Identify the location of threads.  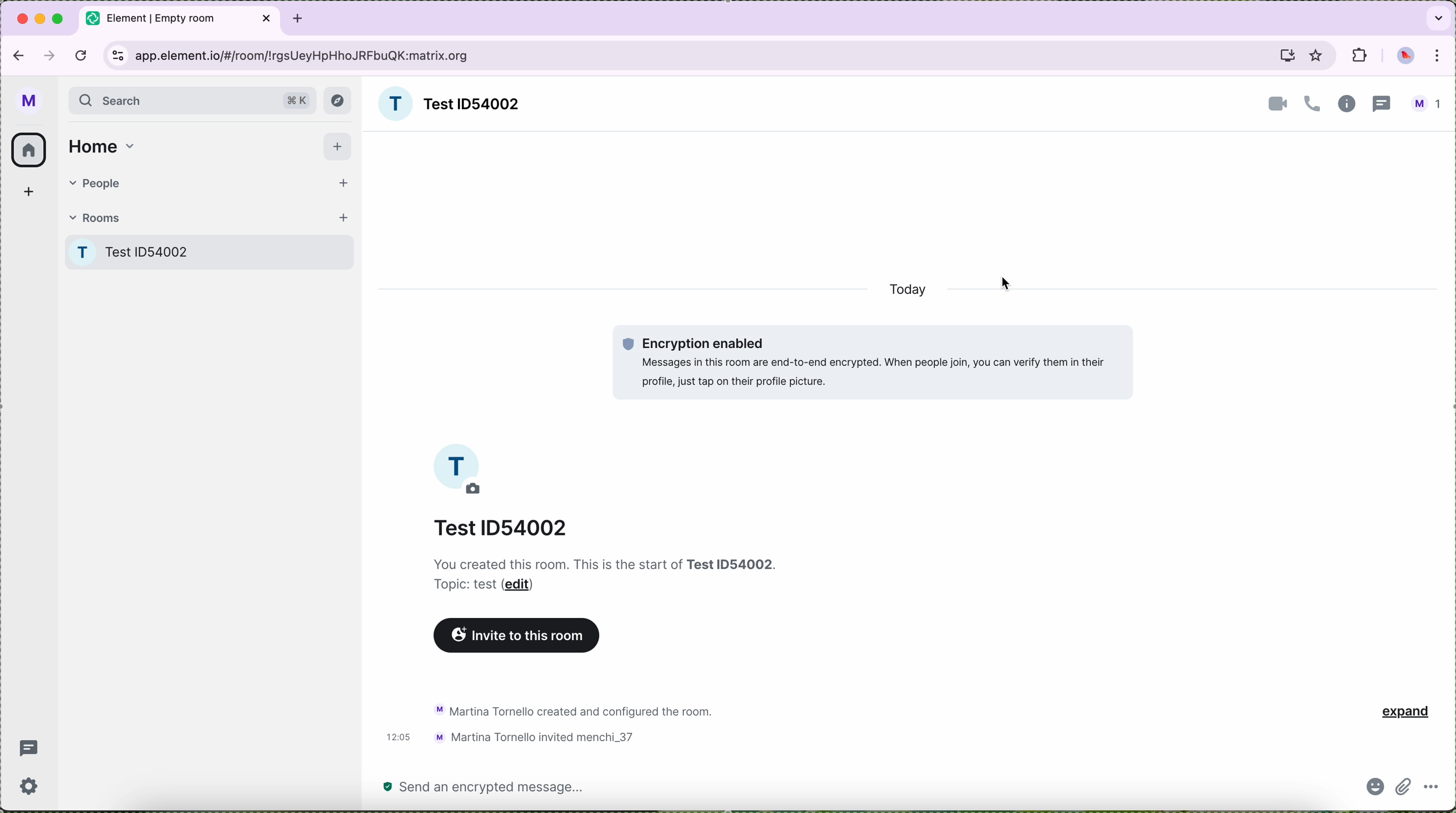
(1382, 103).